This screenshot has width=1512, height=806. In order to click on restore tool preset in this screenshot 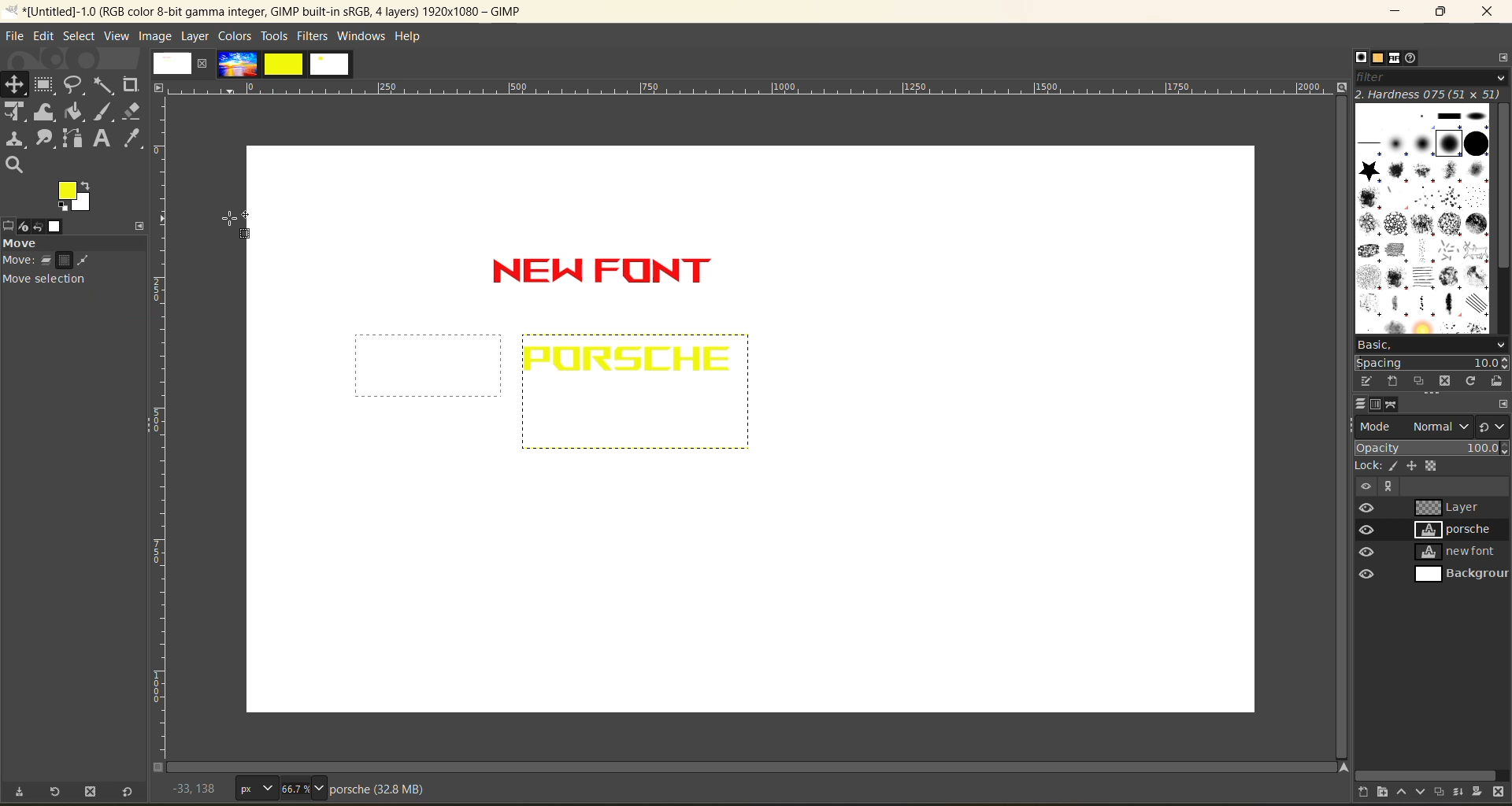, I will do `click(57, 793)`.